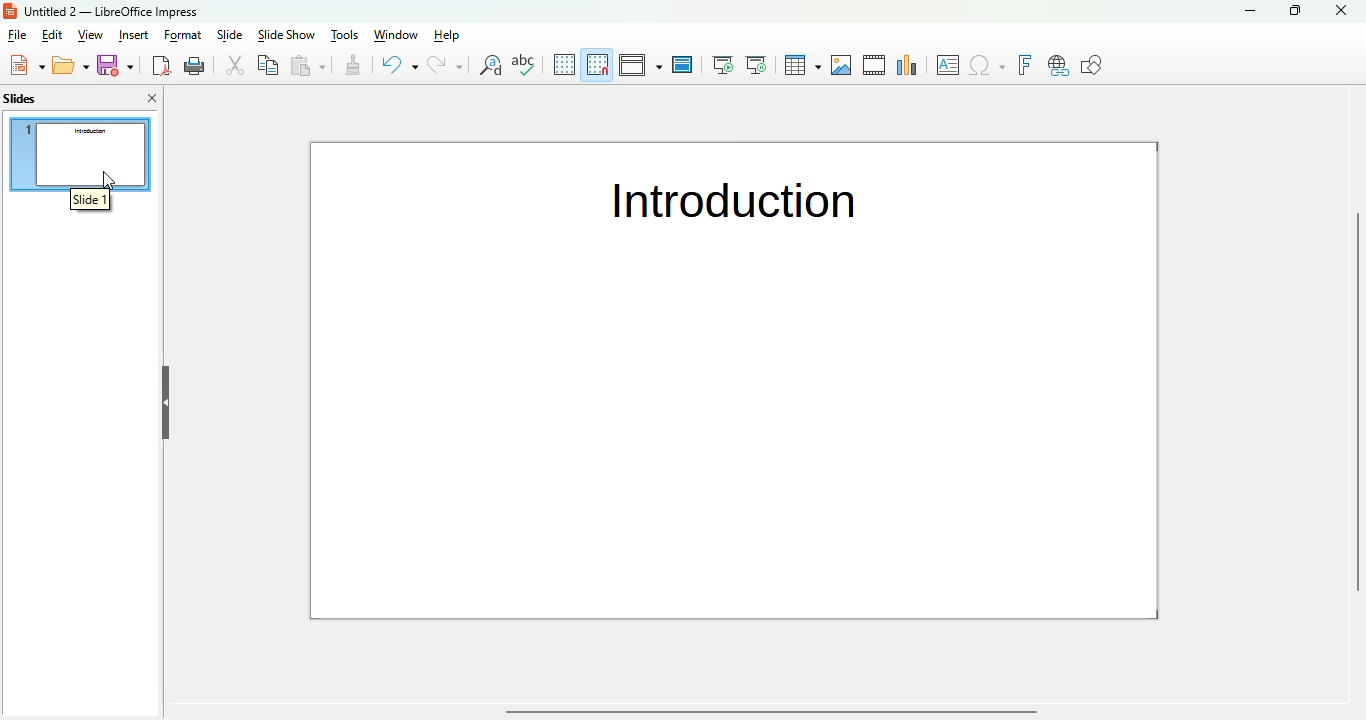 Image resolution: width=1366 pixels, height=720 pixels. I want to click on format, so click(184, 35).